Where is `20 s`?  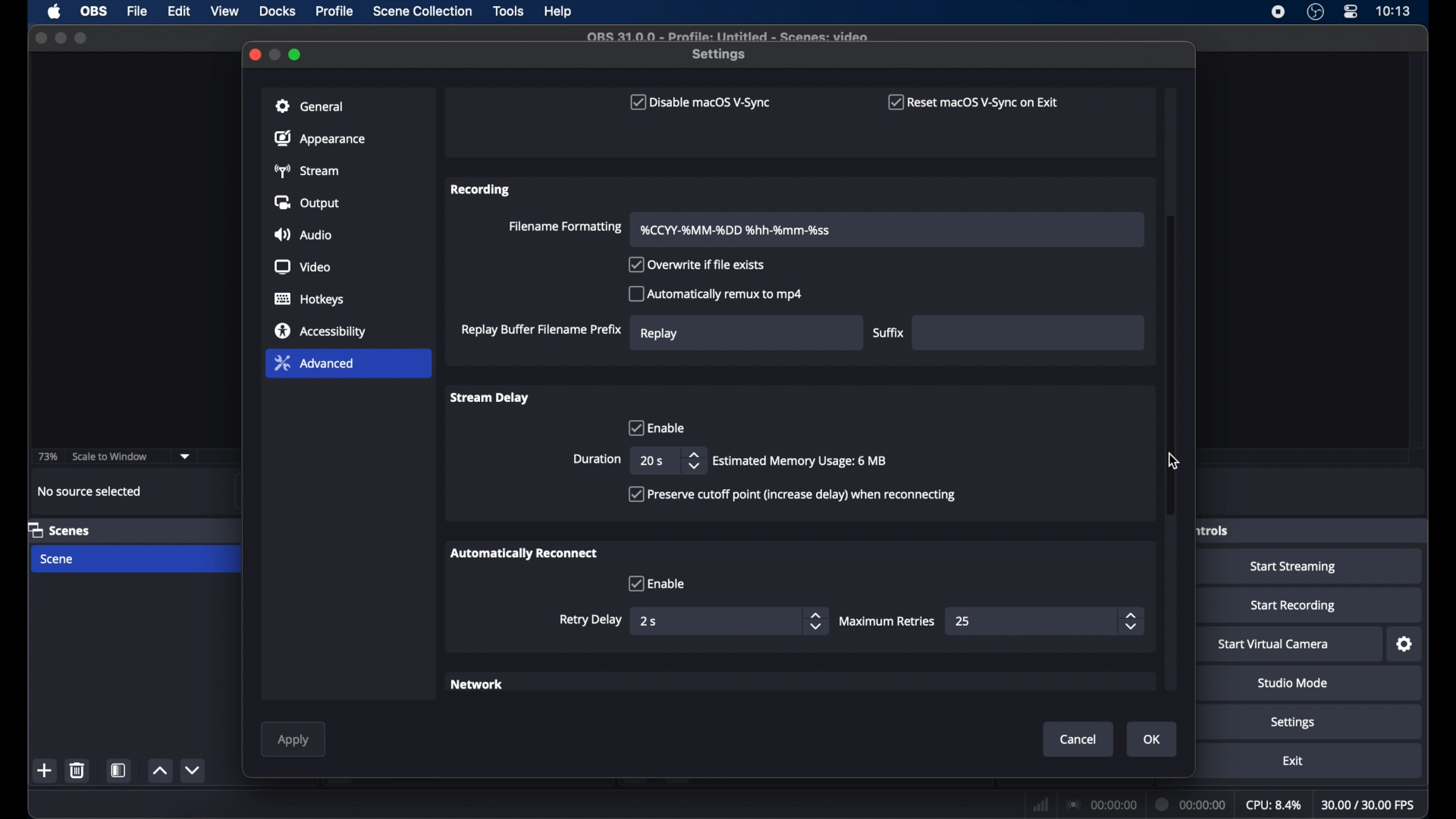
20 s is located at coordinates (651, 460).